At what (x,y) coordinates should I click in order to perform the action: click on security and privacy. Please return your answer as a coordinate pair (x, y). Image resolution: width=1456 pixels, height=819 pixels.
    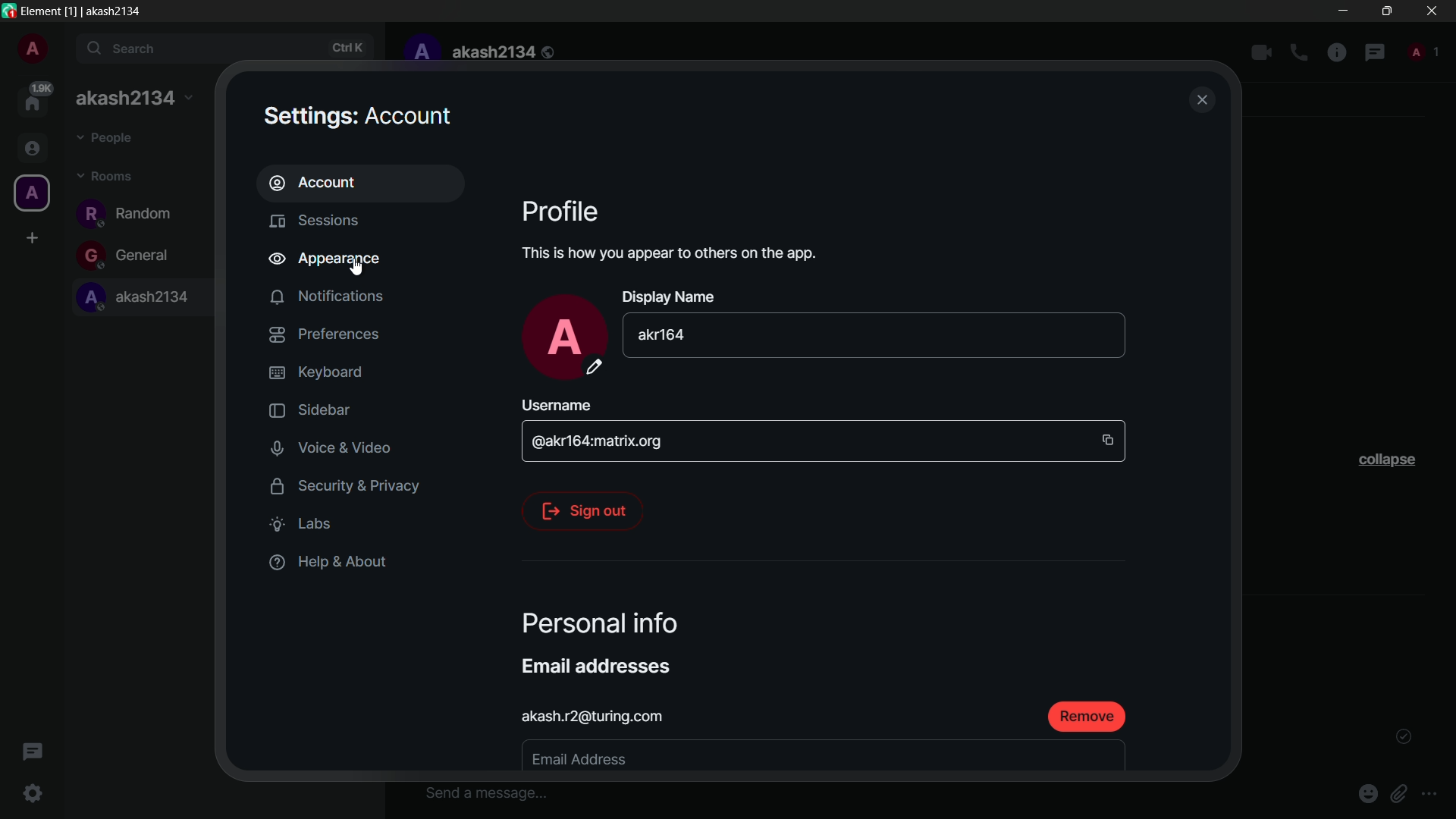
    Looking at the image, I should click on (338, 485).